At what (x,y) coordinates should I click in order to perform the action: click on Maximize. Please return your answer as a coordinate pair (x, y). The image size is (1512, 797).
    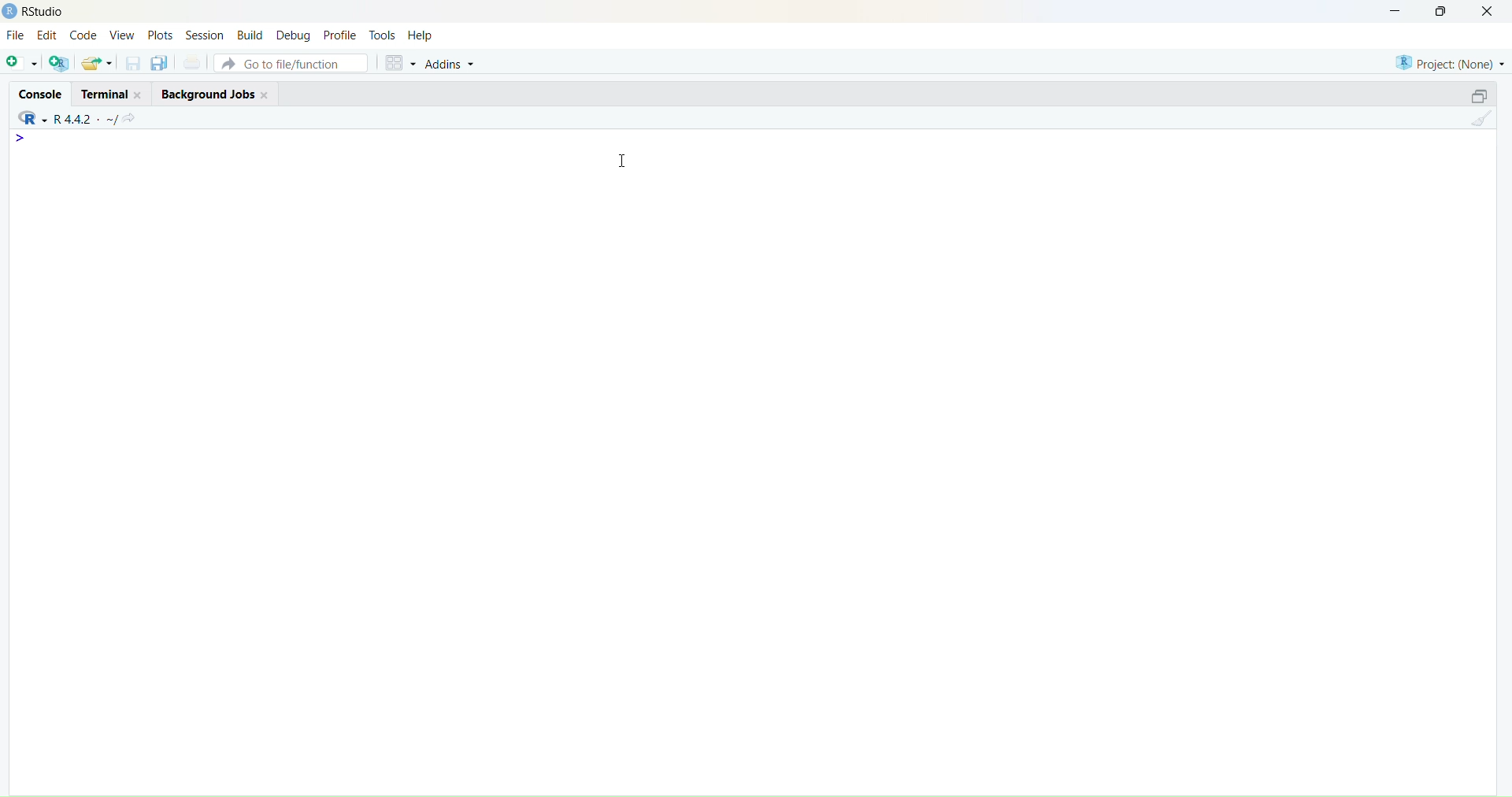
    Looking at the image, I should click on (1440, 13).